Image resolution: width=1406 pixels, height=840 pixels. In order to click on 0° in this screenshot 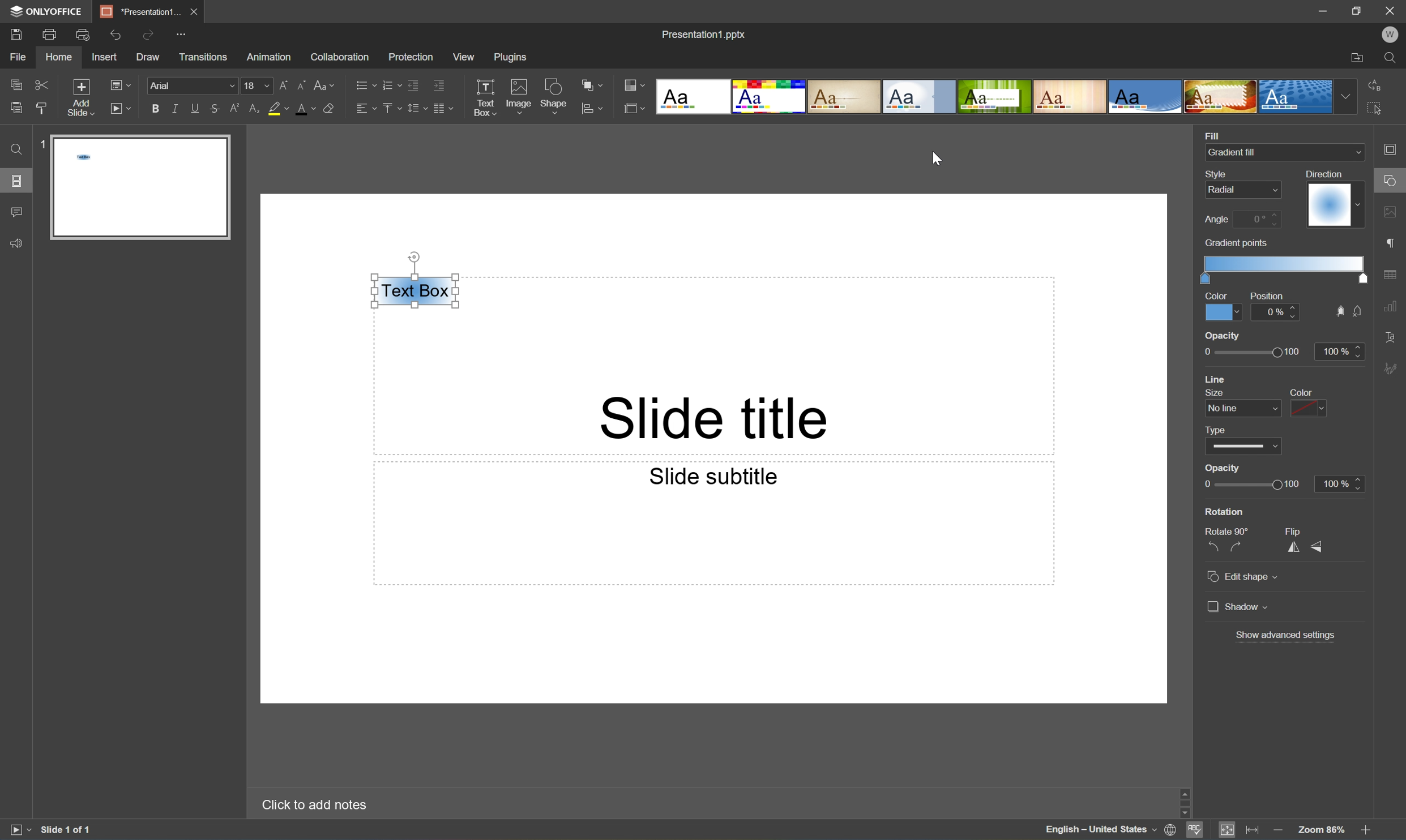, I will do `click(1260, 218)`.